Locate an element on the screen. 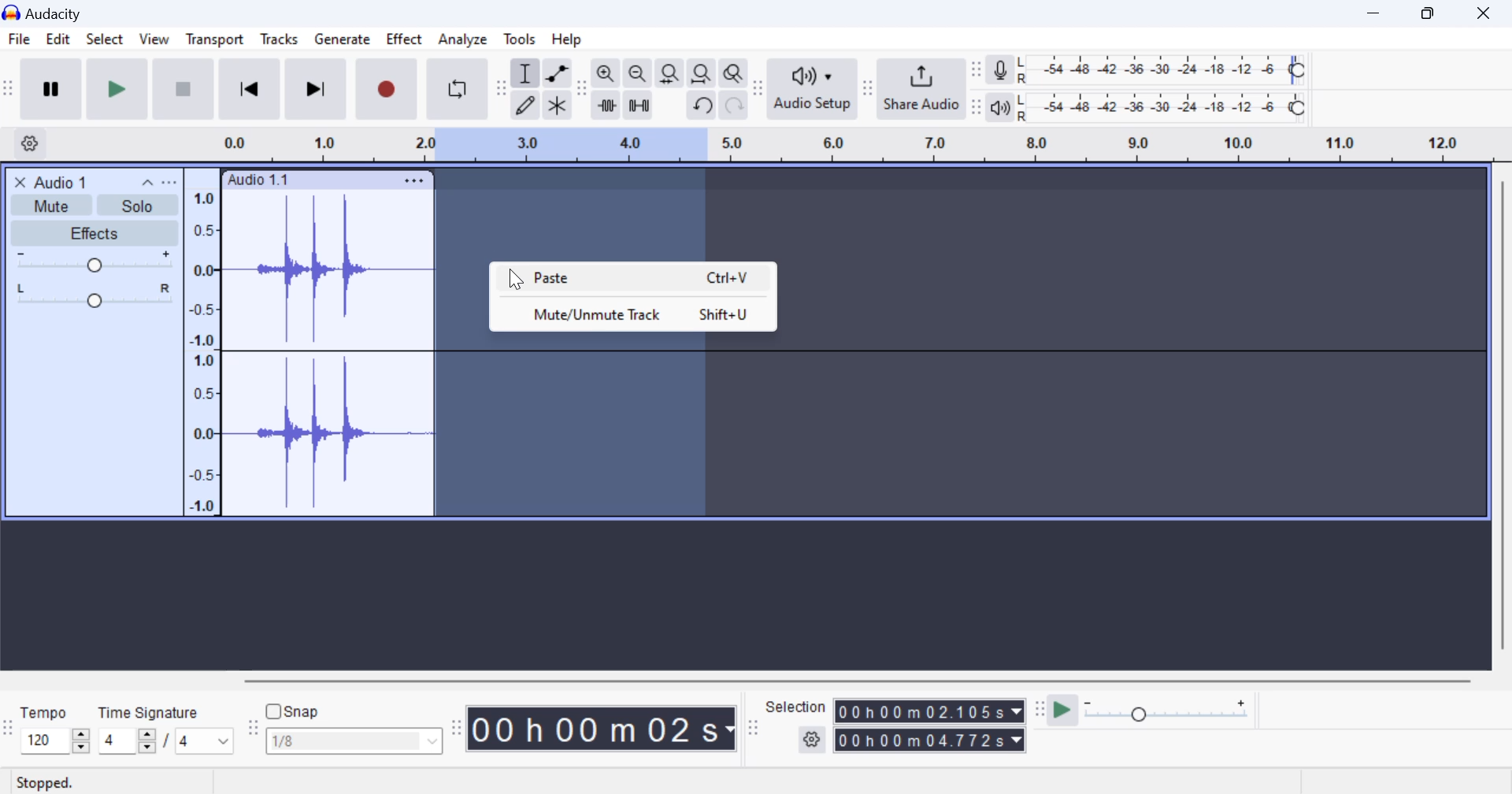 The width and height of the screenshot is (1512, 794). Pause is located at coordinates (50, 89).